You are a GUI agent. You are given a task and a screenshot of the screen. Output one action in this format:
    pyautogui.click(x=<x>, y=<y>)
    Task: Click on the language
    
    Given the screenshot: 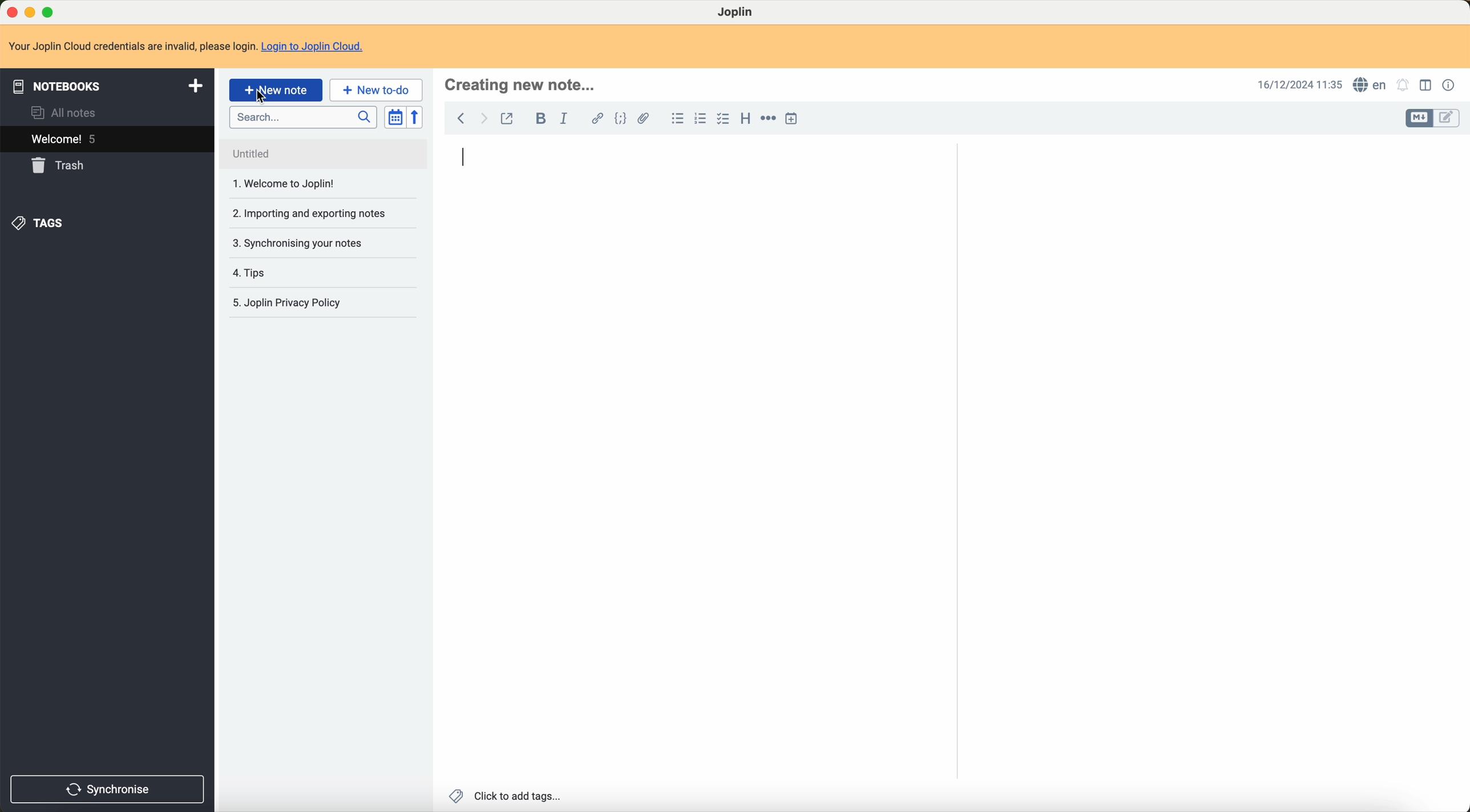 What is the action you would take?
    pyautogui.click(x=1370, y=84)
    